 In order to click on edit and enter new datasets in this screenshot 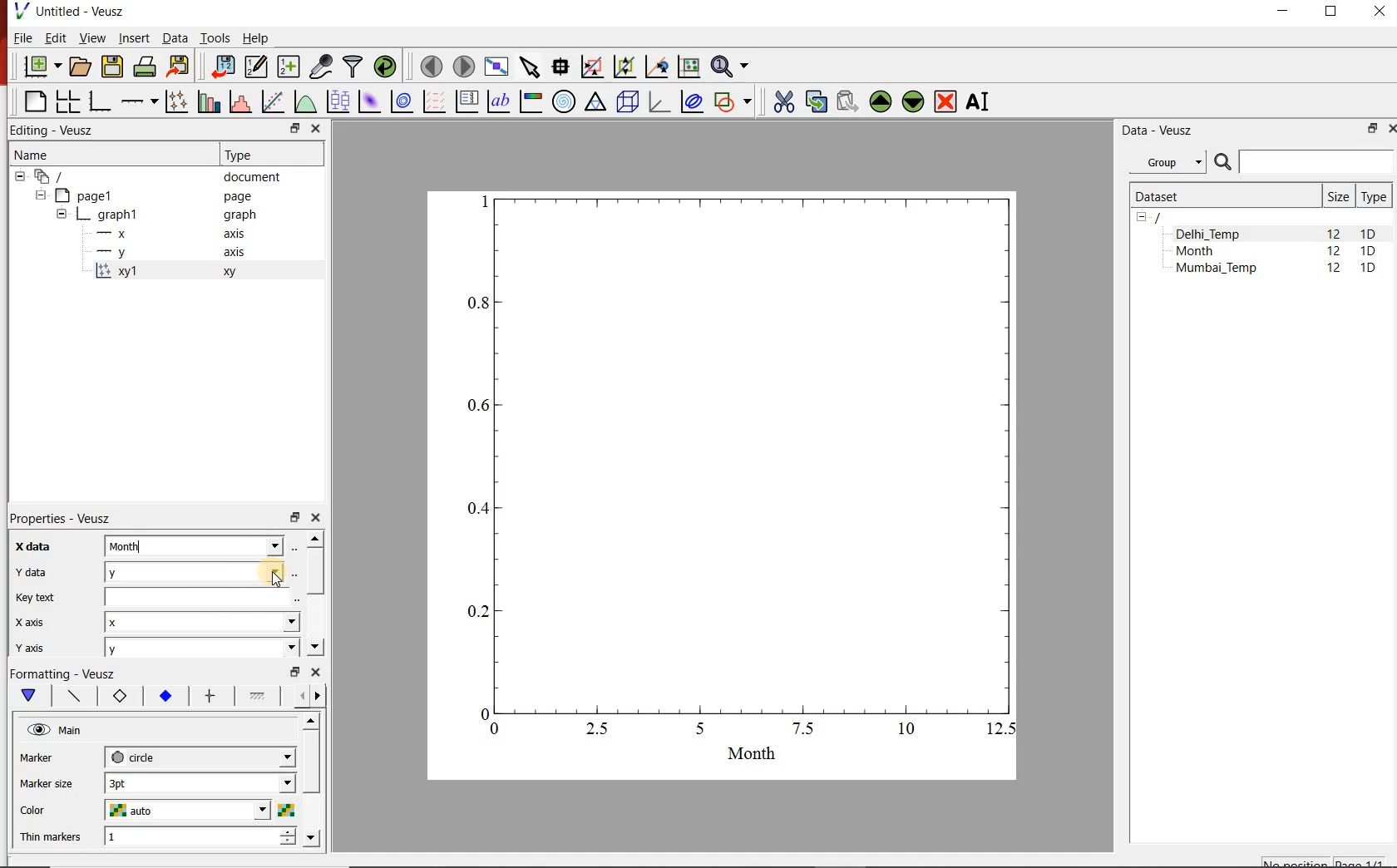, I will do `click(255, 67)`.